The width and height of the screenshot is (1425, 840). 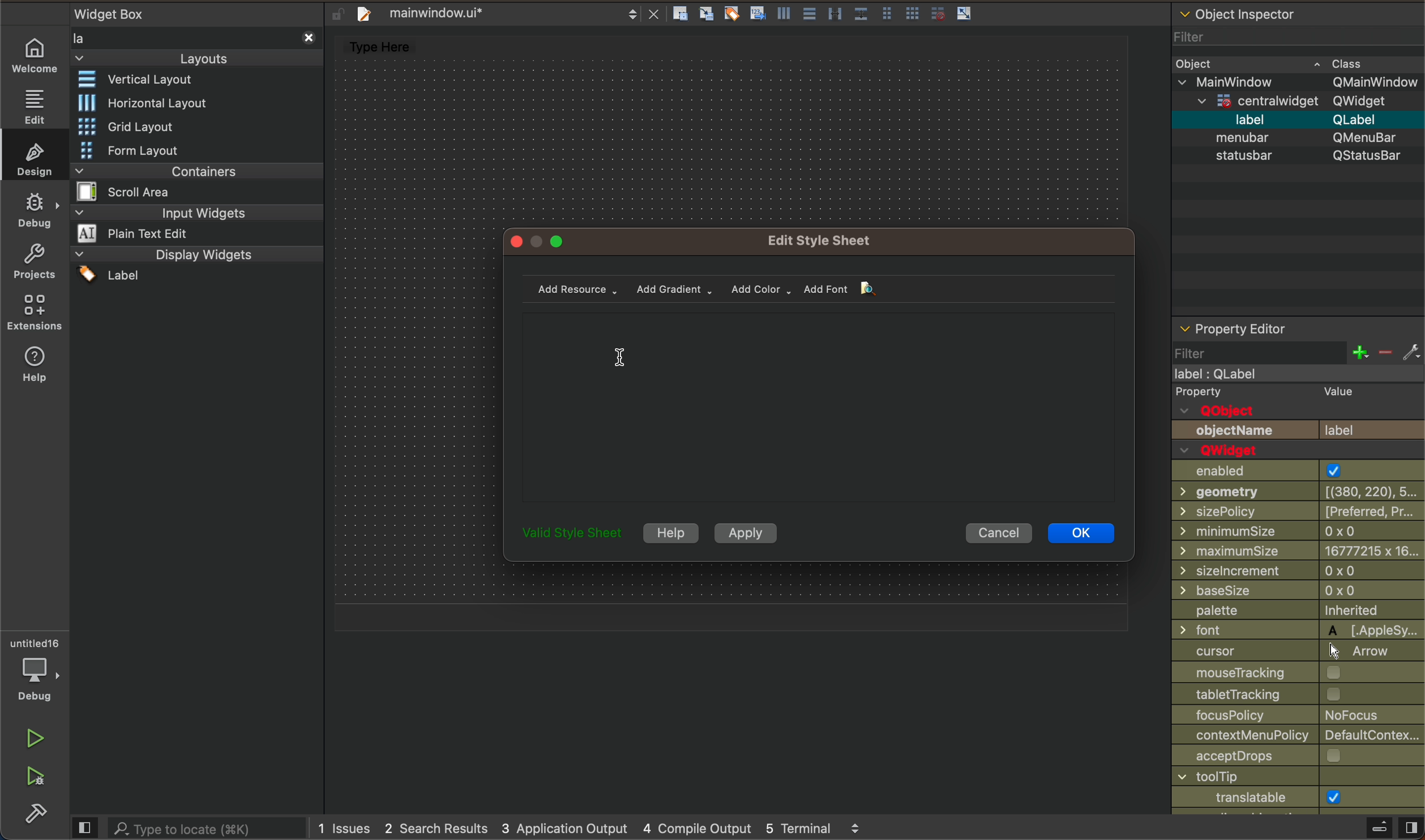 What do you see at coordinates (1298, 119) in the screenshot?
I see `label` at bounding box center [1298, 119].